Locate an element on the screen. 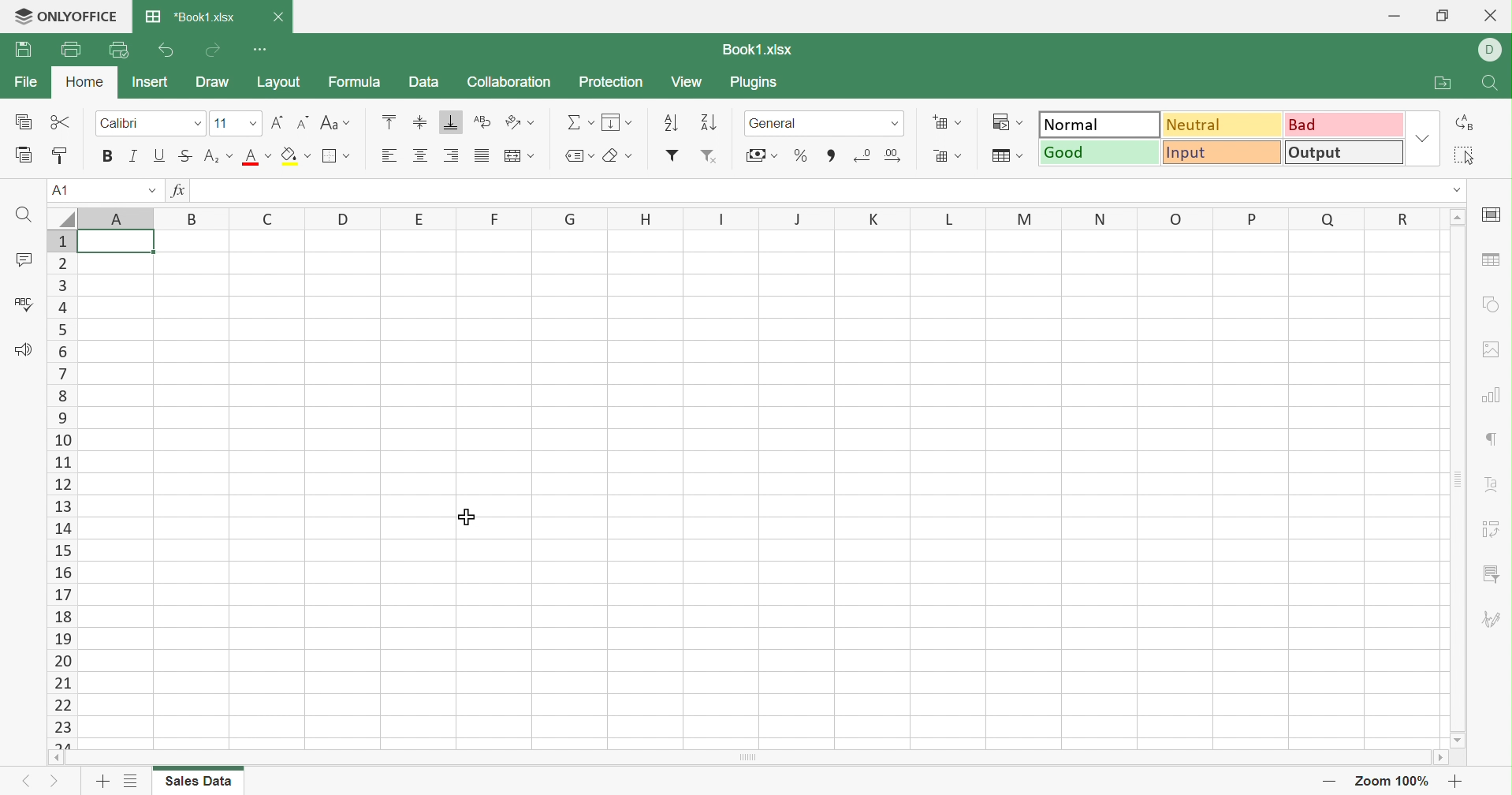 The width and height of the screenshot is (1512, 795). Find is located at coordinates (23, 215).